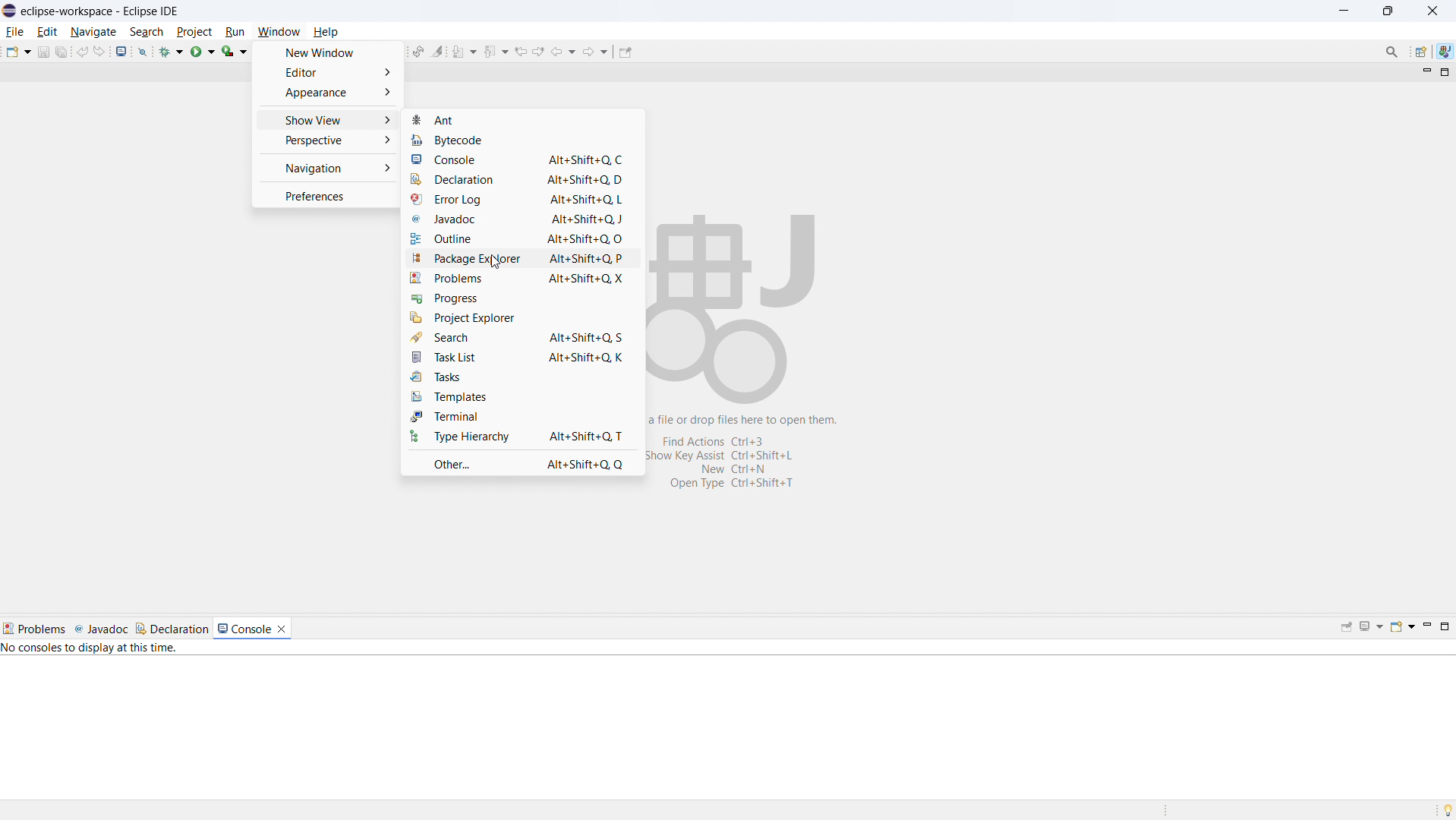 The width and height of the screenshot is (1456, 820). I want to click on previous edit location, so click(519, 52).